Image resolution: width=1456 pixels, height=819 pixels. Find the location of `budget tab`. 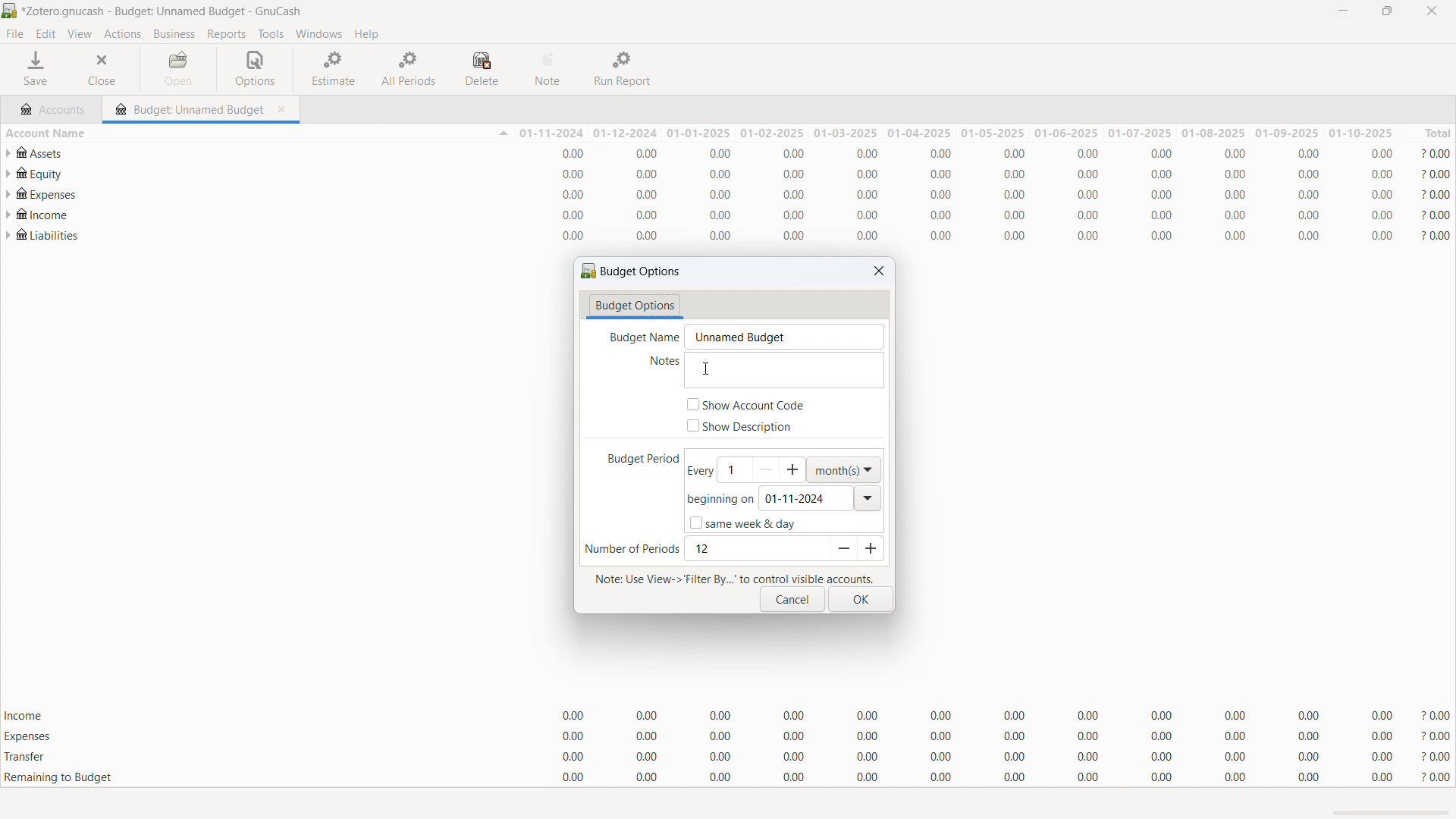

budget tab is located at coordinates (189, 105).